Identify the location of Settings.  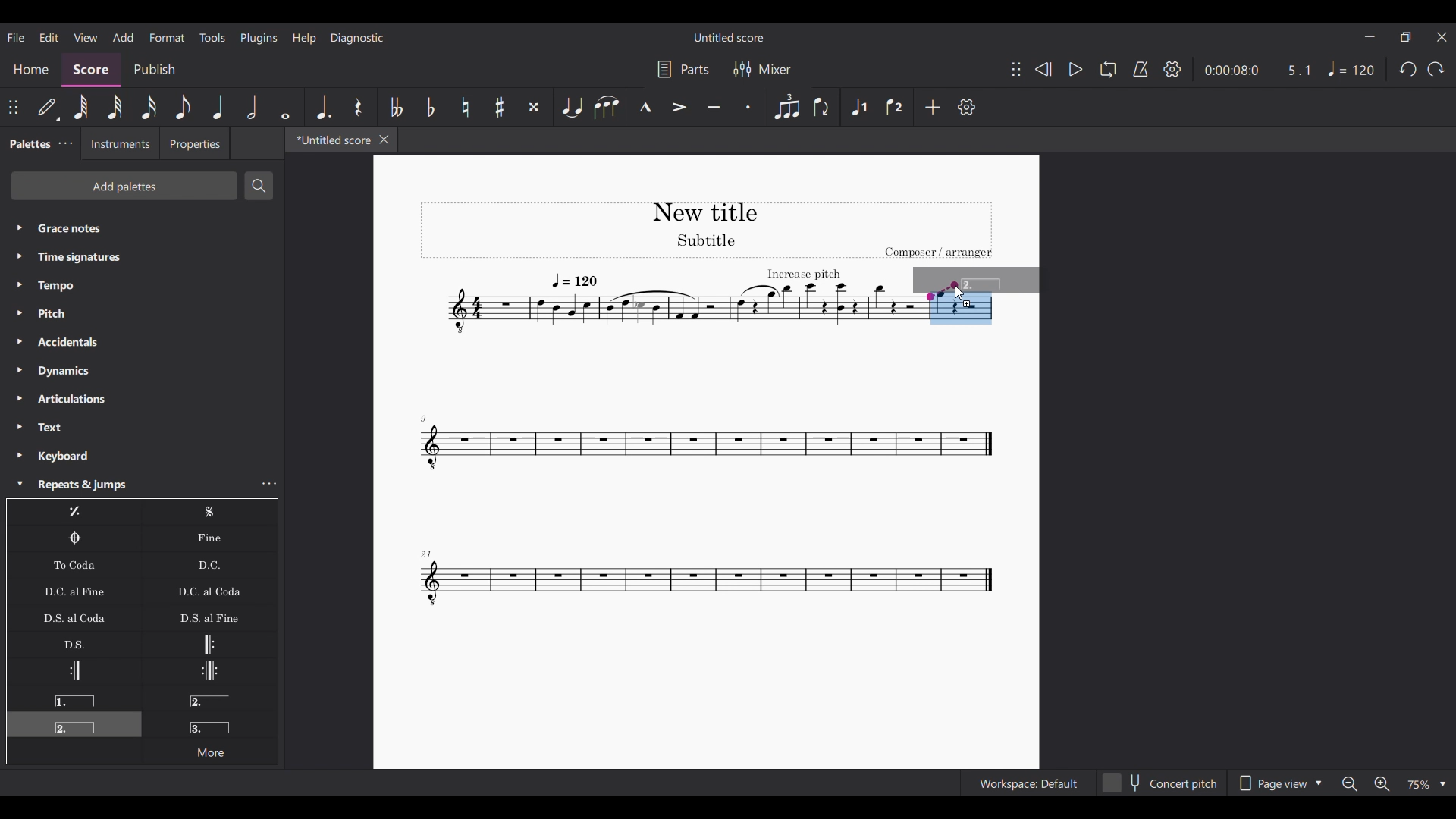
(1172, 69).